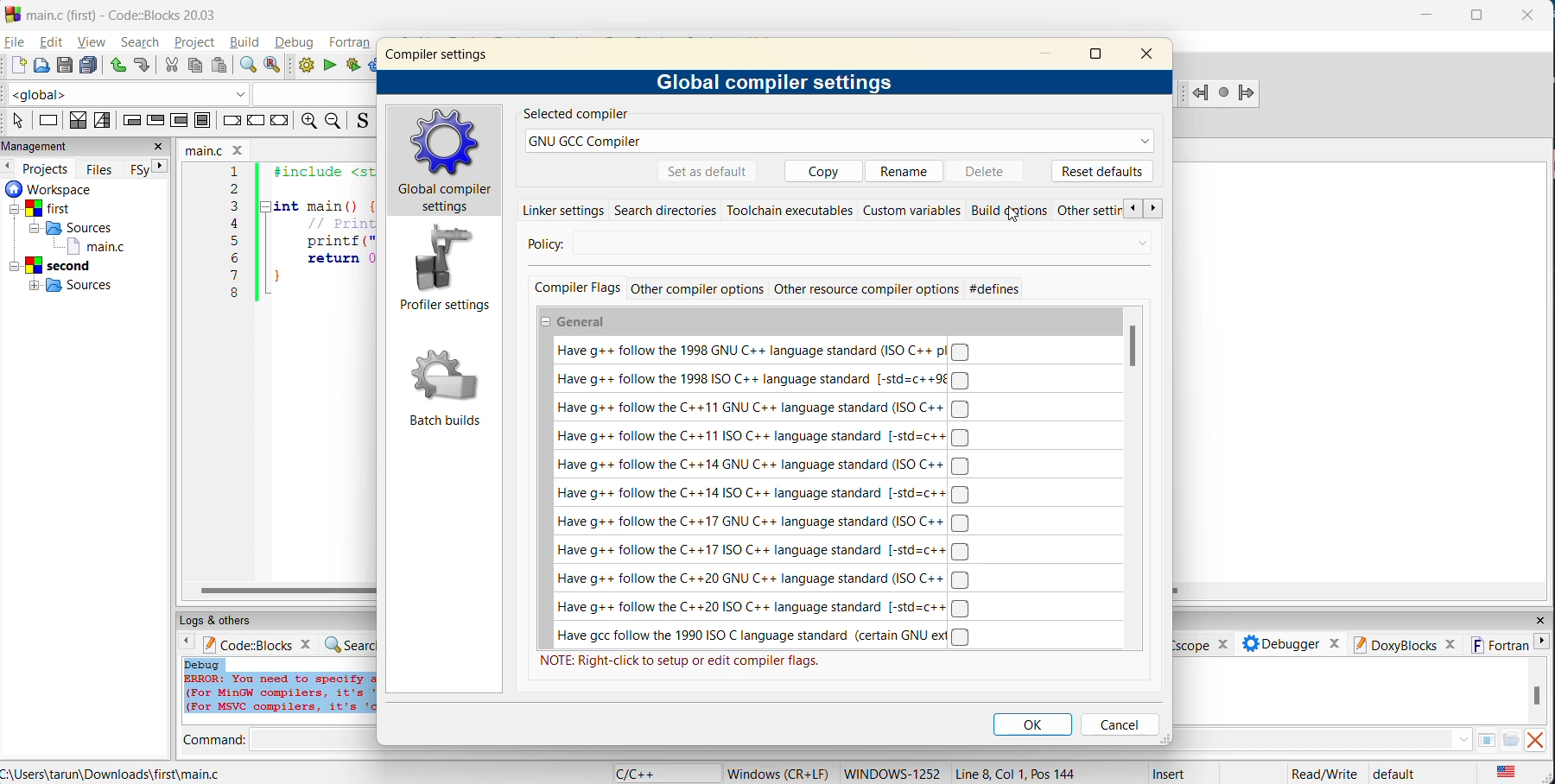  What do you see at coordinates (155, 168) in the screenshot?
I see `next` at bounding box center [155, 168].